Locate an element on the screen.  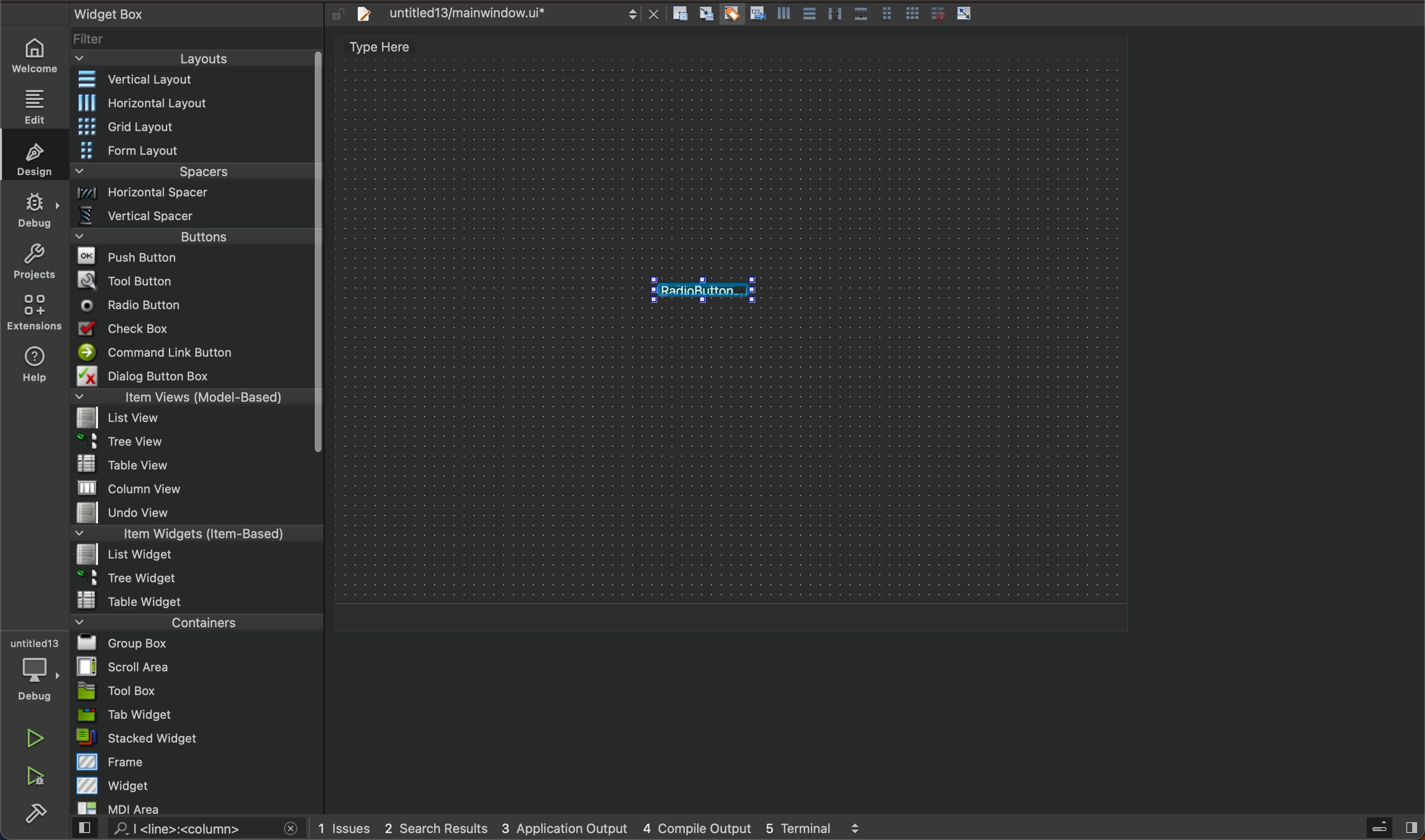
help is located at coordinates (32, 367).